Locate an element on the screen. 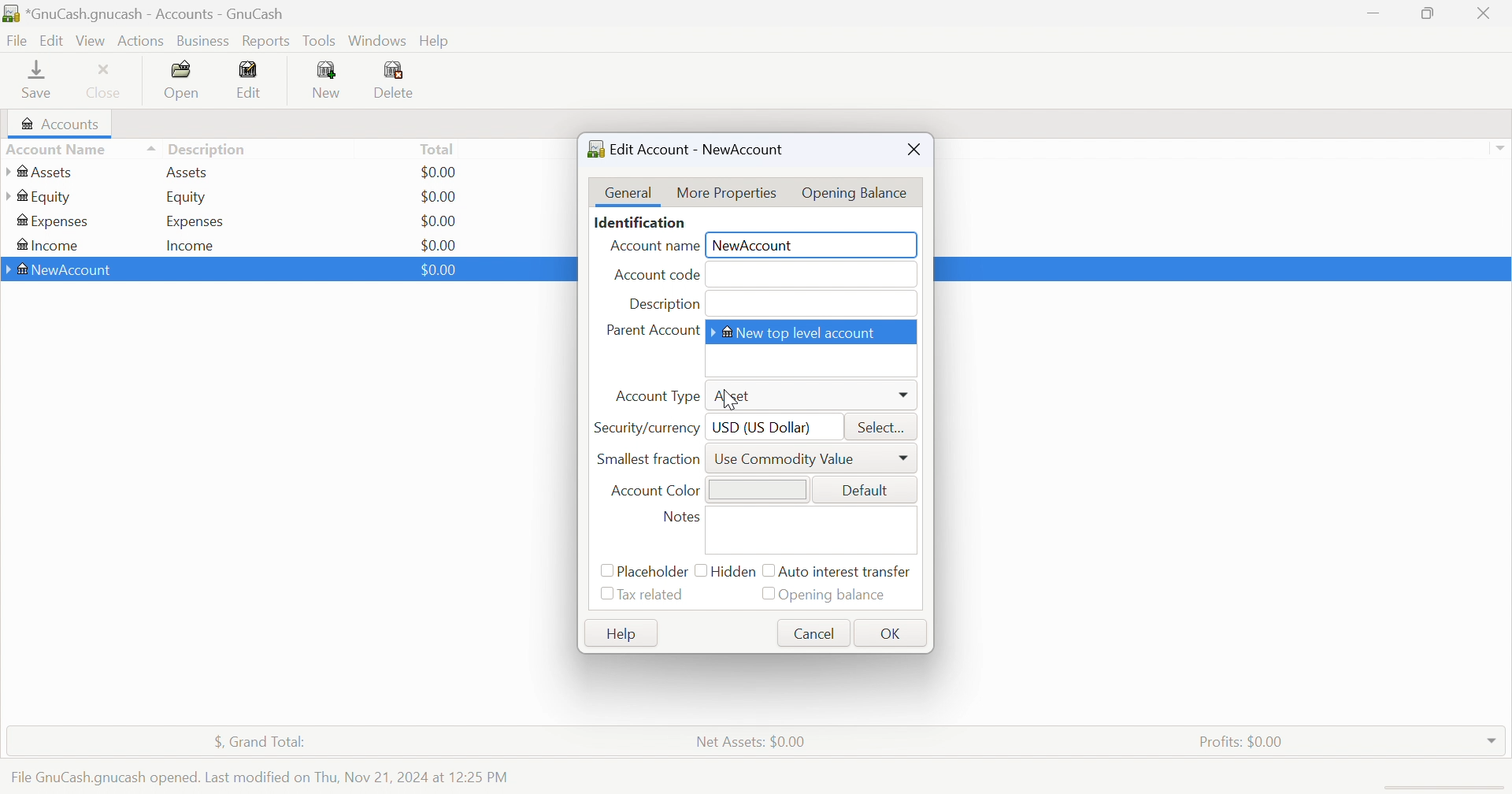 This screenshot has height=794, width=1512. Identification is located at coordinates (641, 224).